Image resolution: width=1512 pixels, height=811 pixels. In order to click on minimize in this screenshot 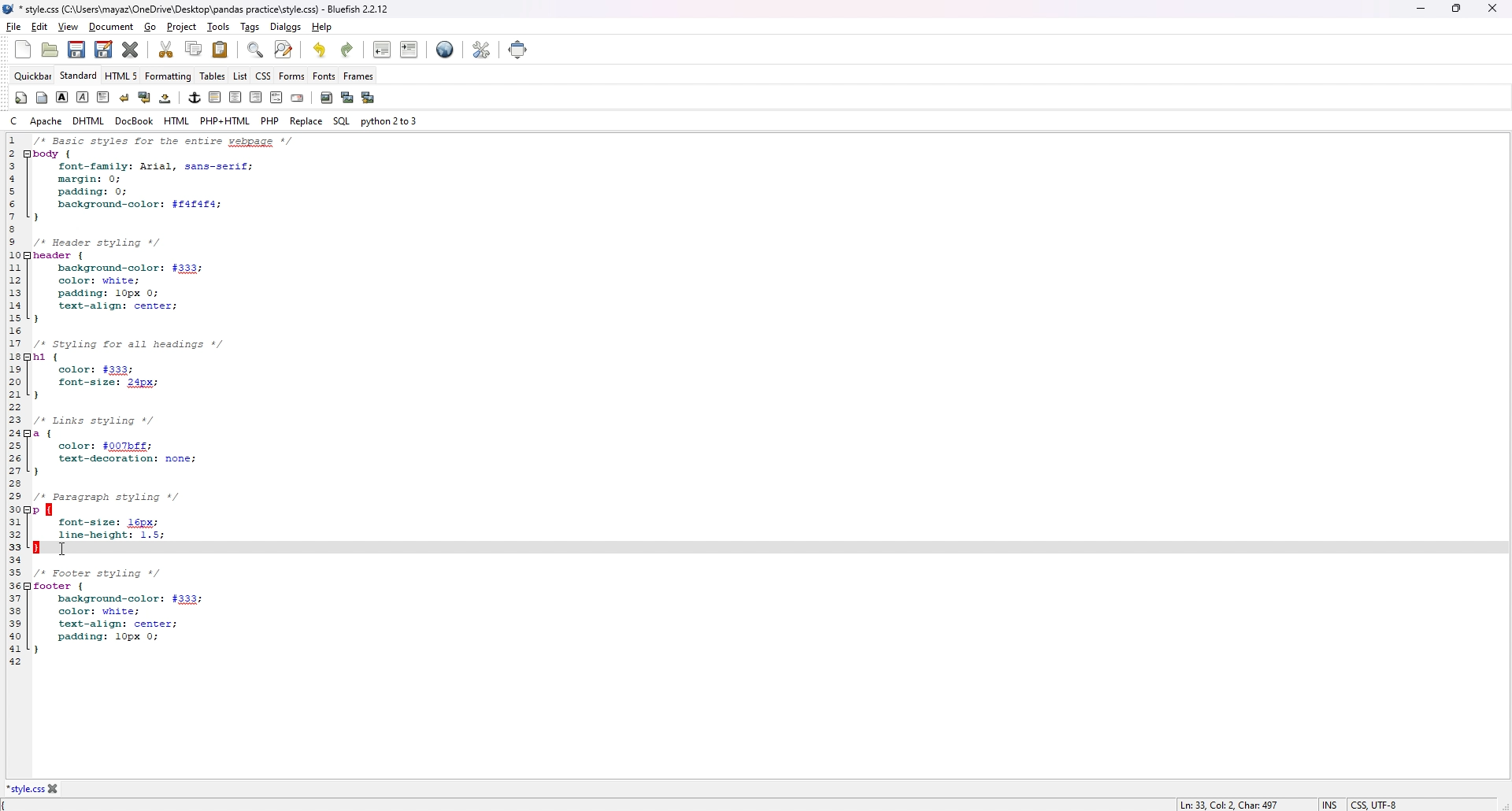, I will do `click(1420, 9)`.